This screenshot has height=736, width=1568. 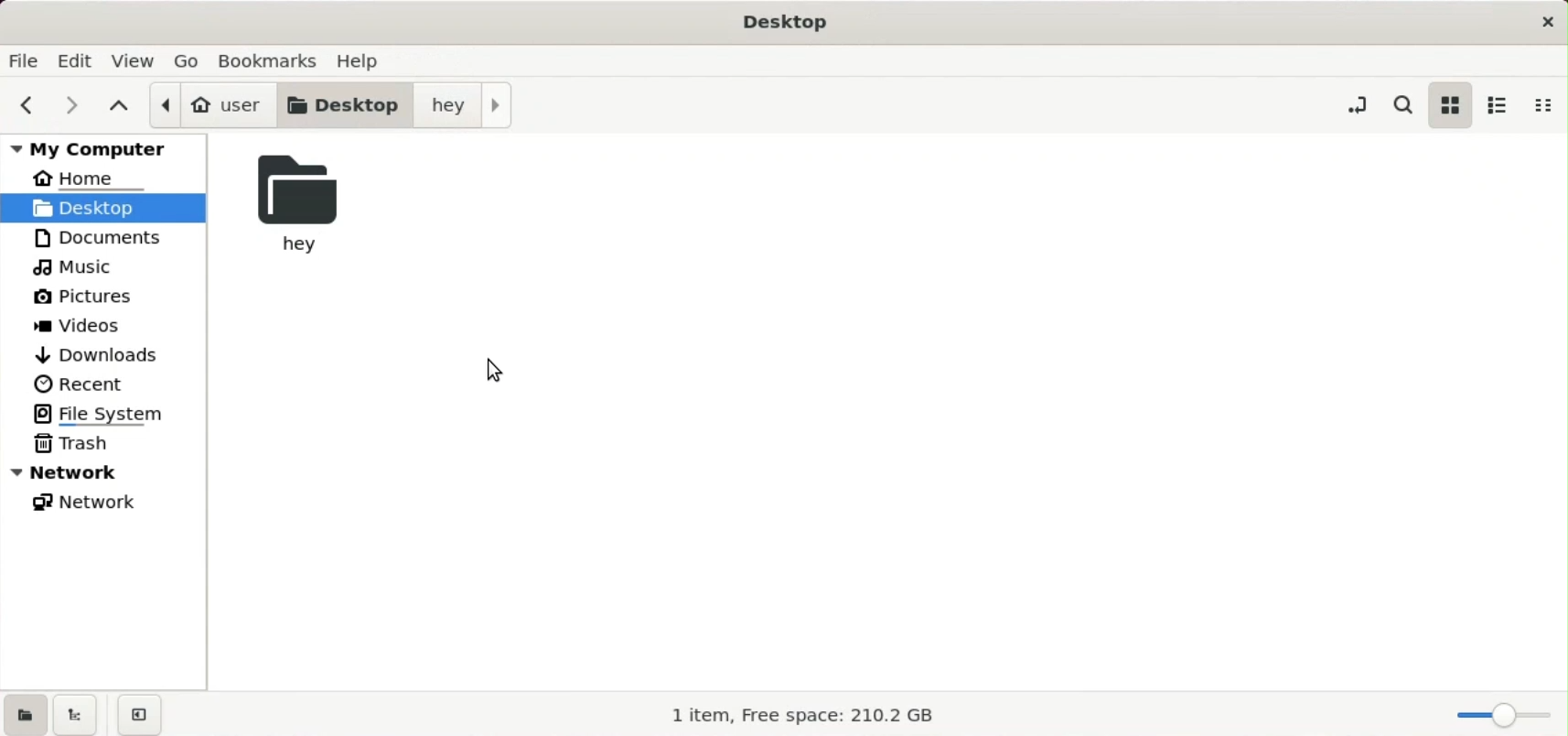 What do you see at coordinates (1497, 104) in the screenshot?
I see `list view` at bounding box center [1497, 104].